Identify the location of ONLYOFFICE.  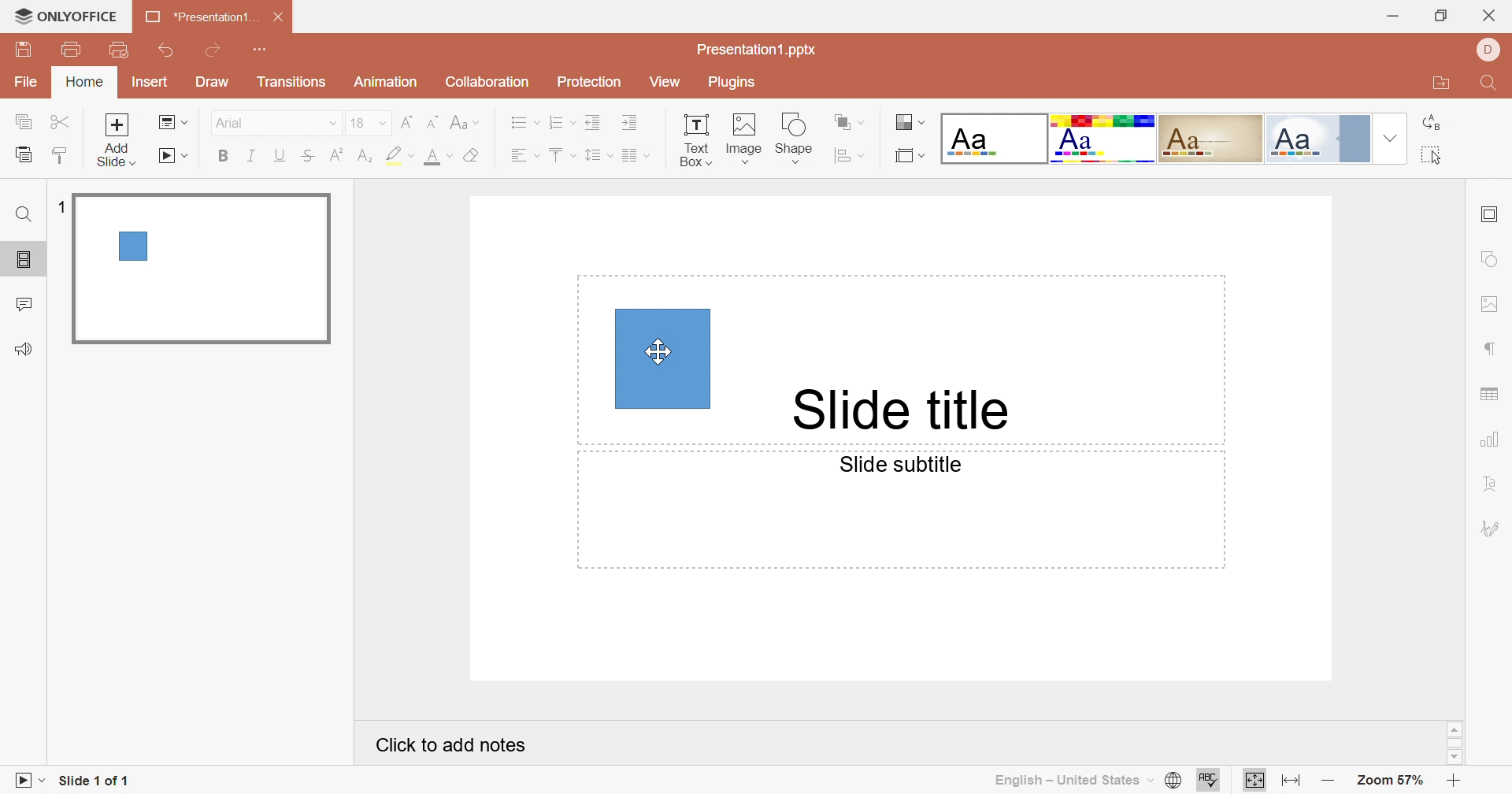
(67, 15).